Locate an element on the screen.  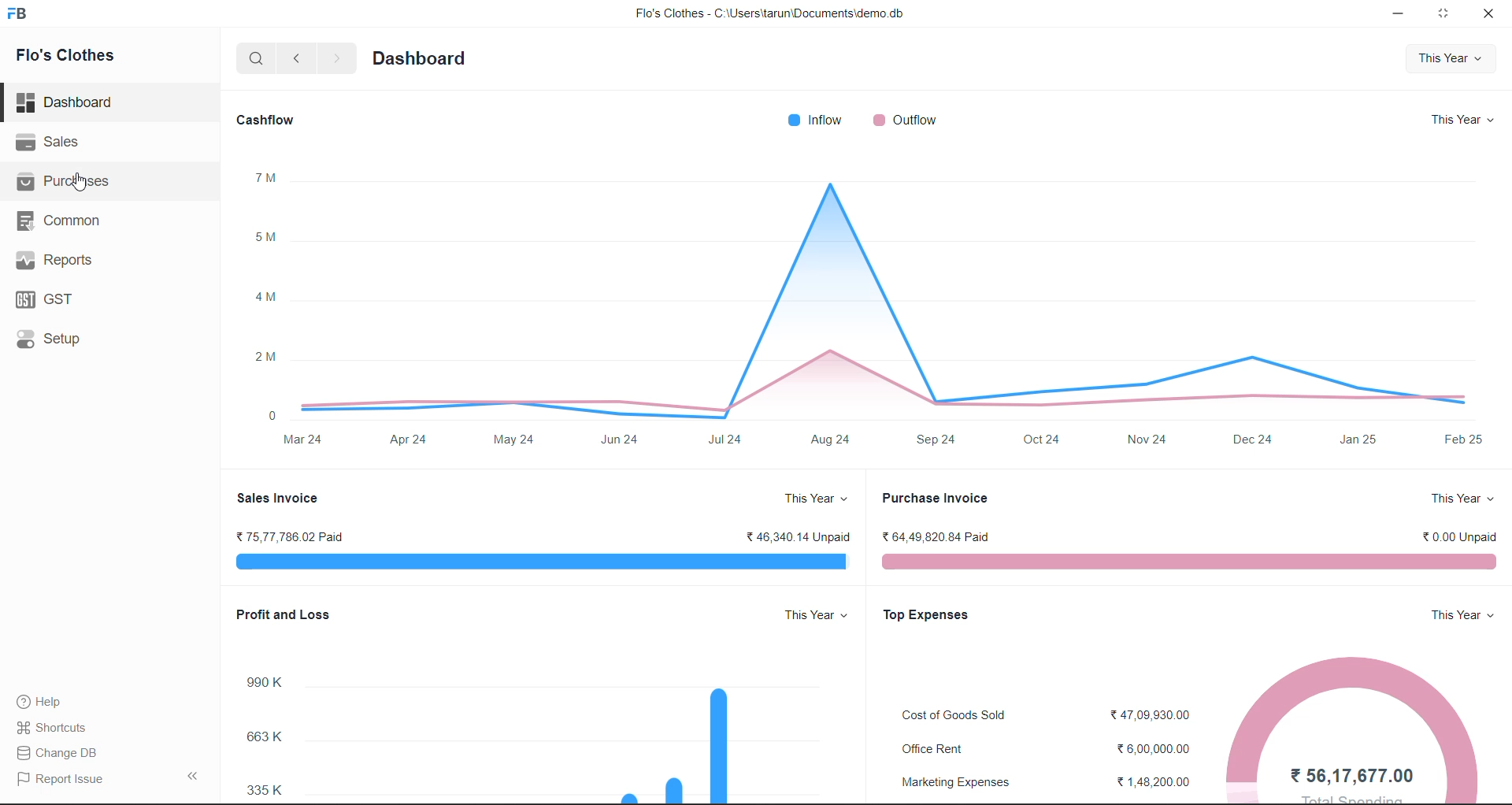
Report Issue is located at coordinates (65, 777).